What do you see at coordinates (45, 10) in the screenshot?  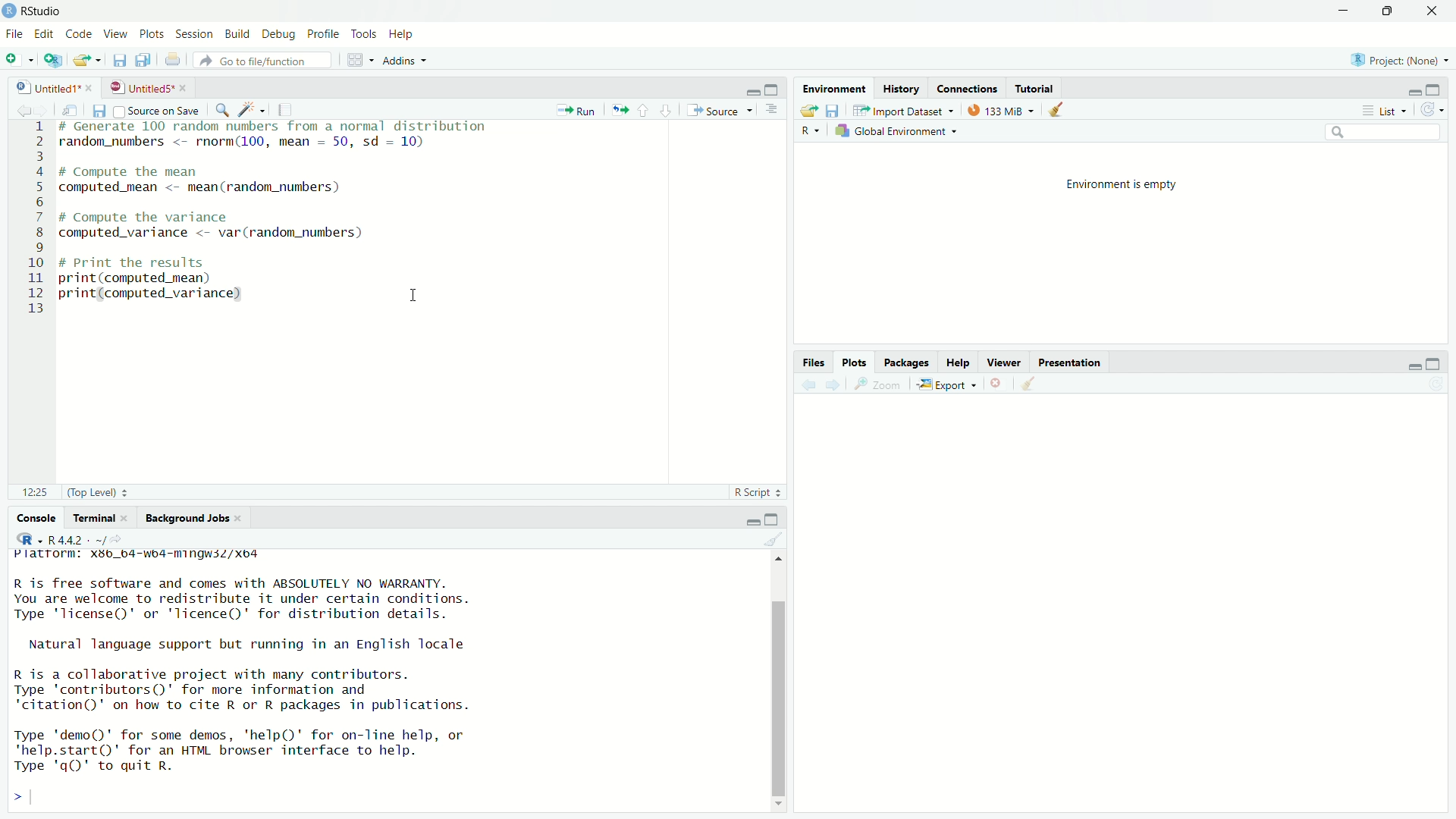 I see `RStudio` at bounding box center [45, 10].